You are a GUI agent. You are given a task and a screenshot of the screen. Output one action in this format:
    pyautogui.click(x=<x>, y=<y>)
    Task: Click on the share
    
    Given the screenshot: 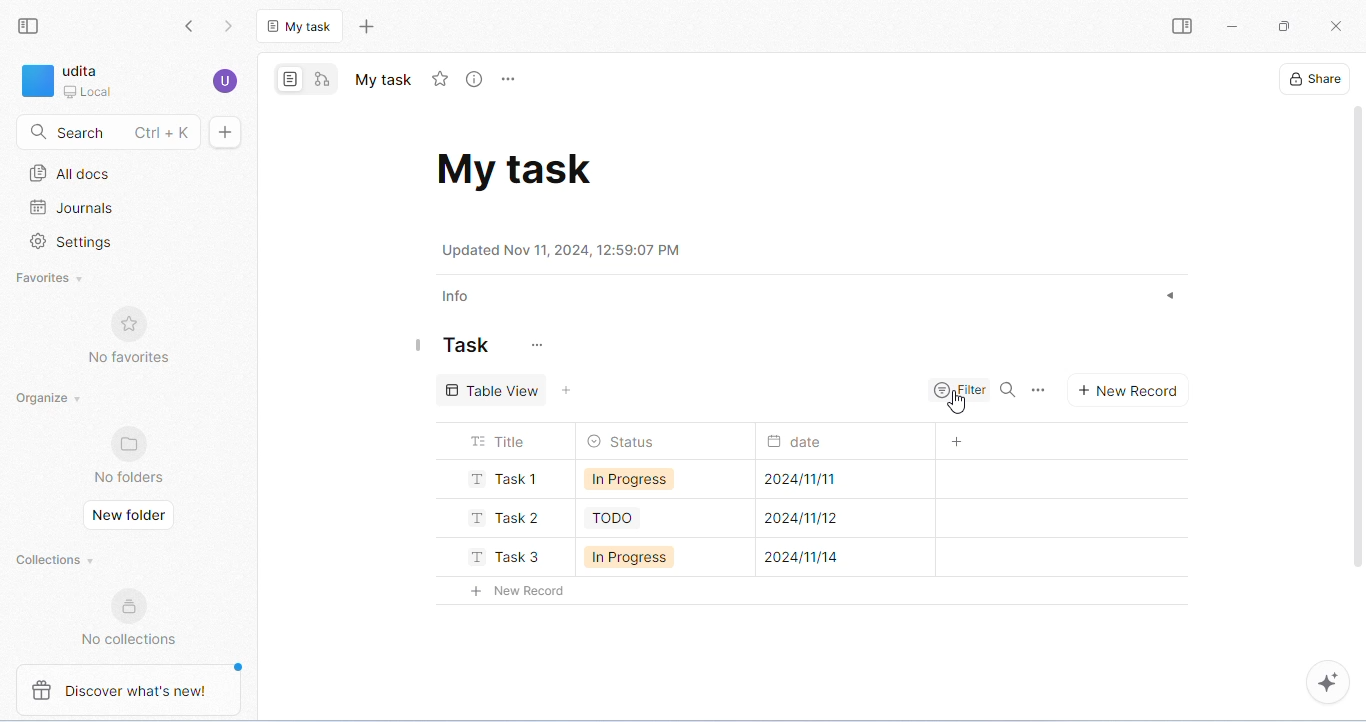 What is the action you would take?
    pyautogui.click(x=1312, y=78)
    